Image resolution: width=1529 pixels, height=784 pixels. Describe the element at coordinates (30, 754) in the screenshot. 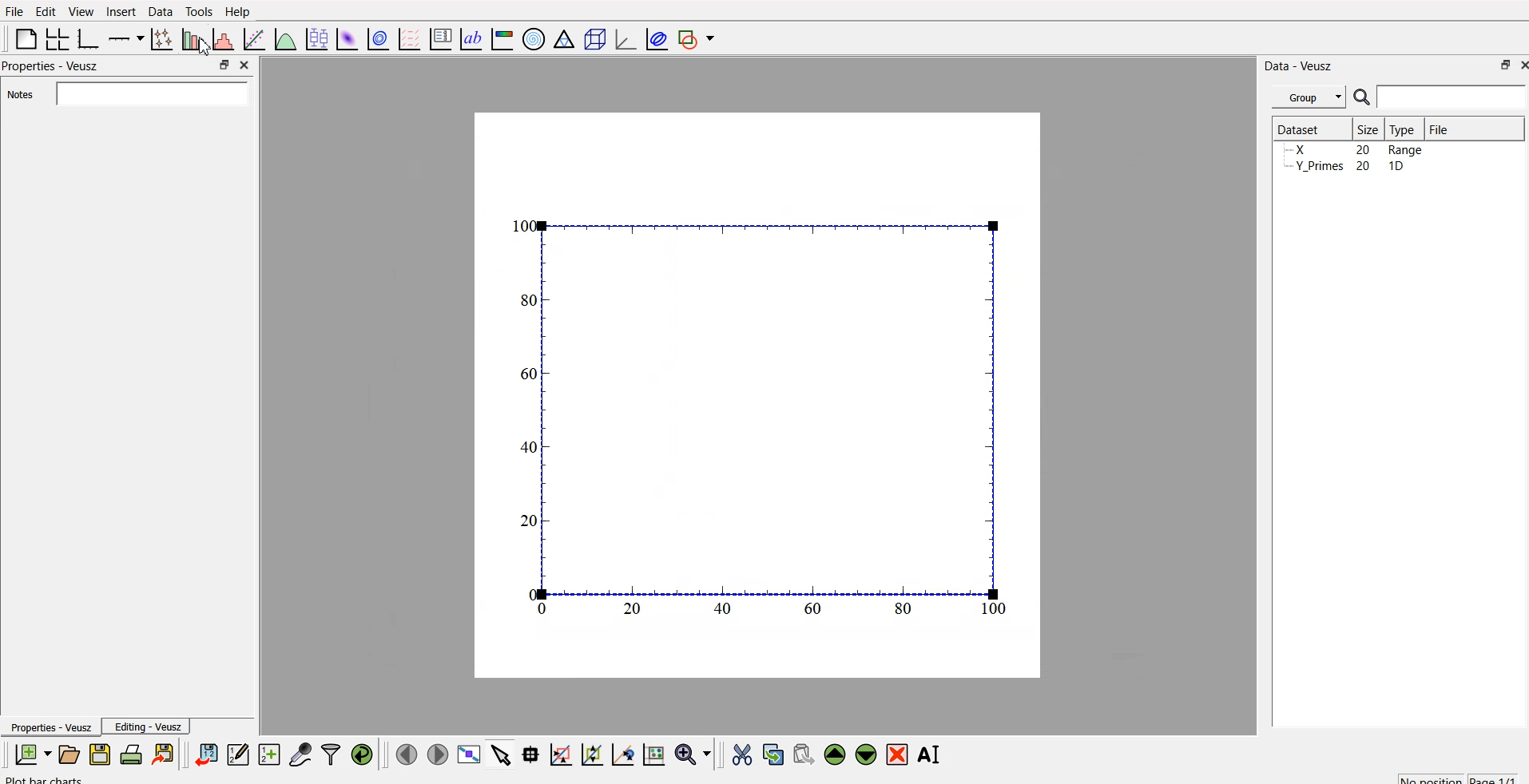

I see `new document` at that location.